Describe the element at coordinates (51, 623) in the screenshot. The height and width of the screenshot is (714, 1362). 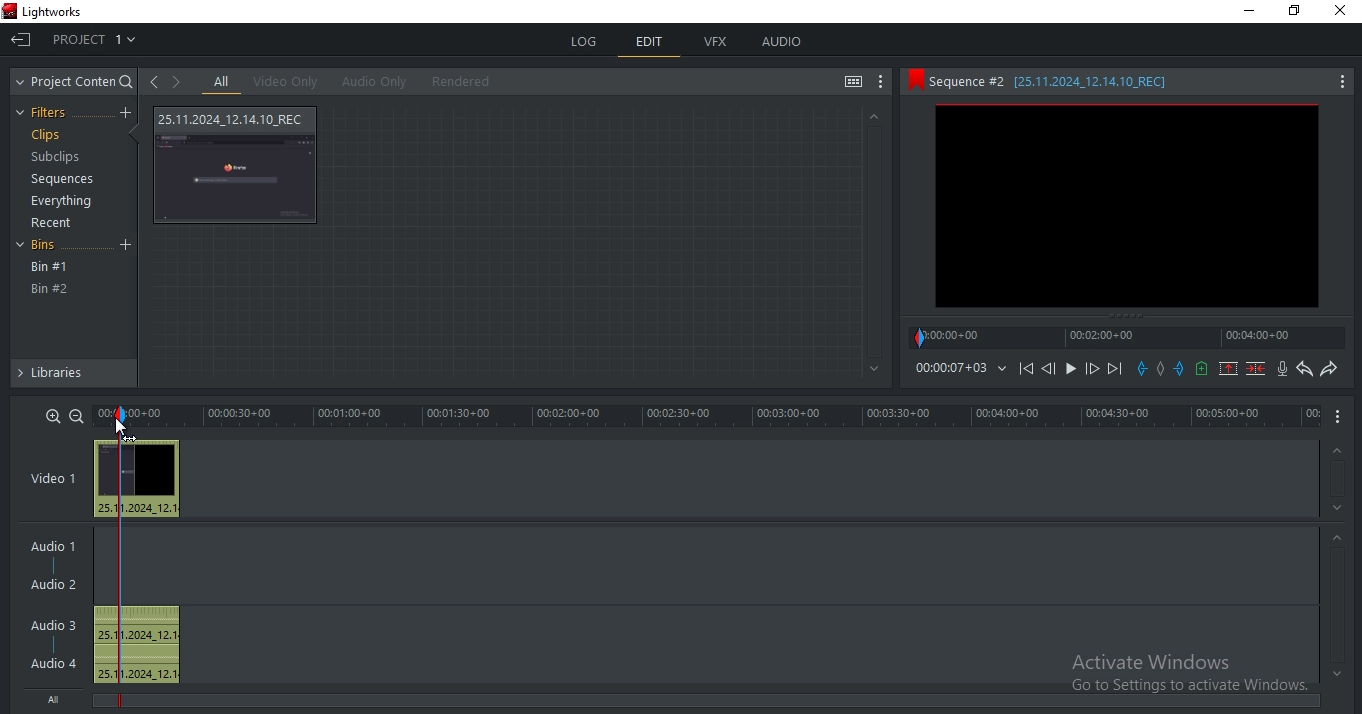
I see `Audio 3` at that location.